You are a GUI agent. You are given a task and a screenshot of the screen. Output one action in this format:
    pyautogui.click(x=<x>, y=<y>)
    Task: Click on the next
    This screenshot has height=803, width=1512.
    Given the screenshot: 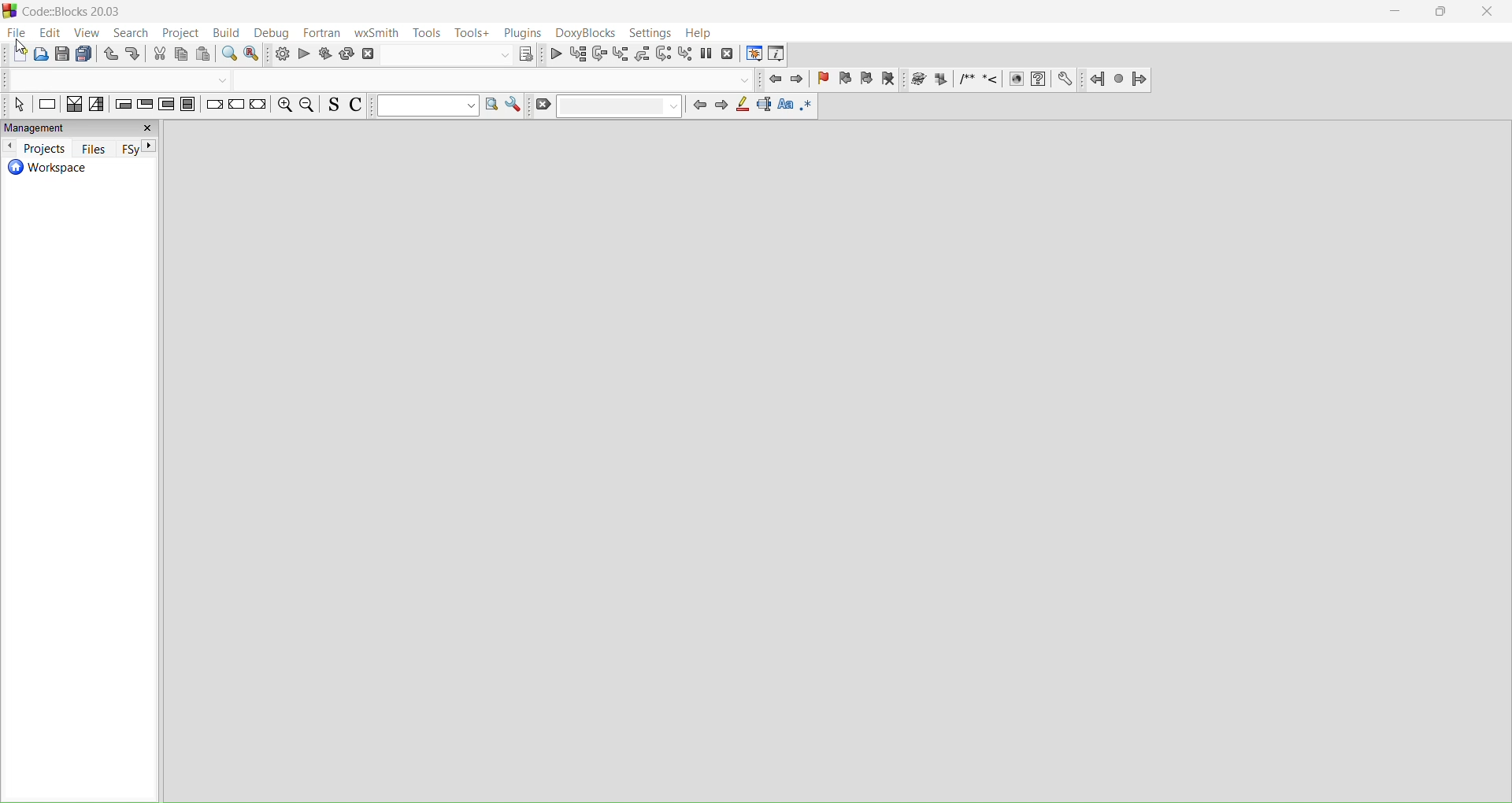 What is the action you would take?
    pyautogui.click(x=725, y=109)
    